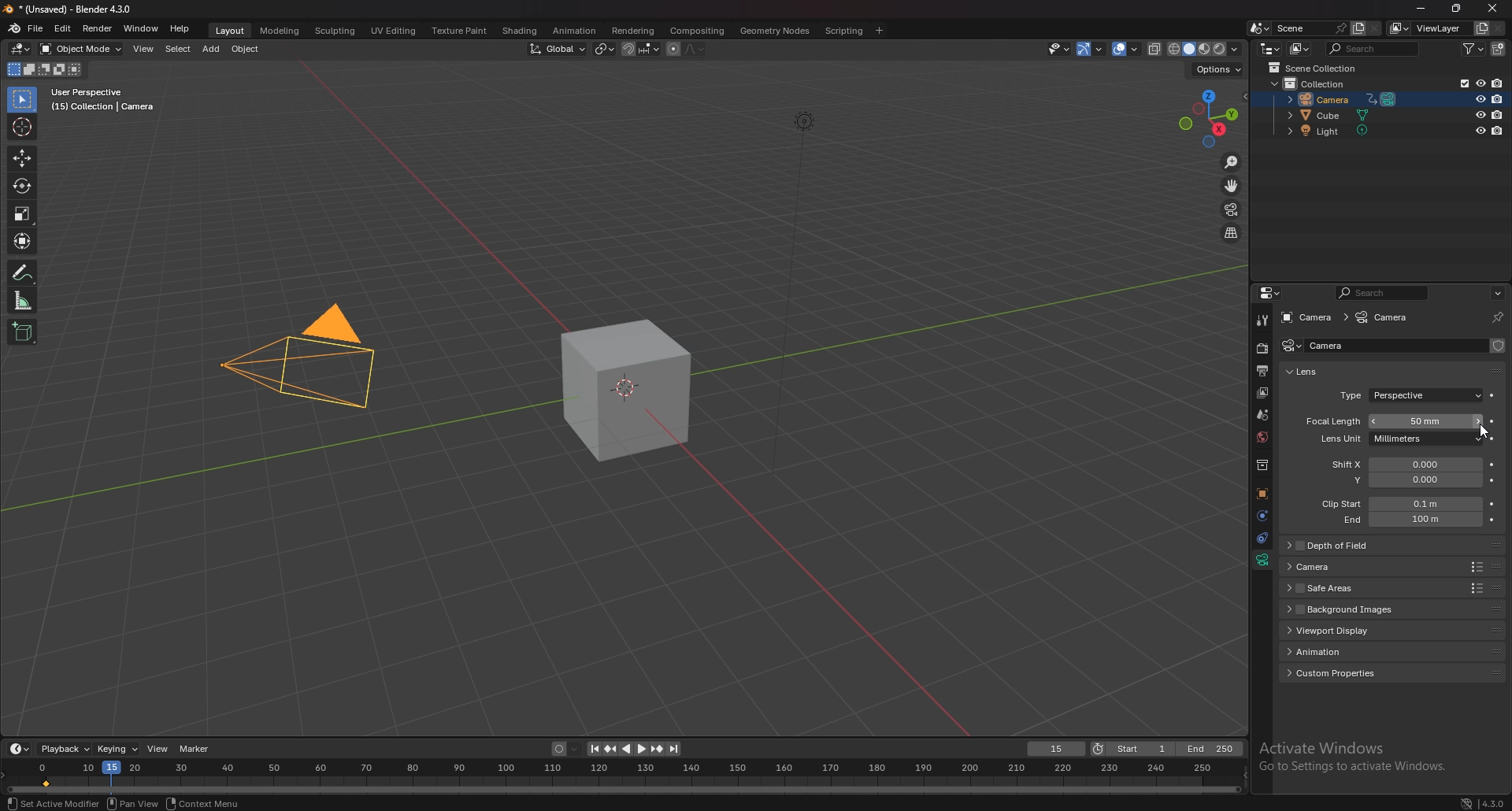 Image resolution: width=1512 pixels, height=811 pixels. What do you see at coordinates (180, 29) in the screenshot?
I see `help` at bounding box center [180, 29].